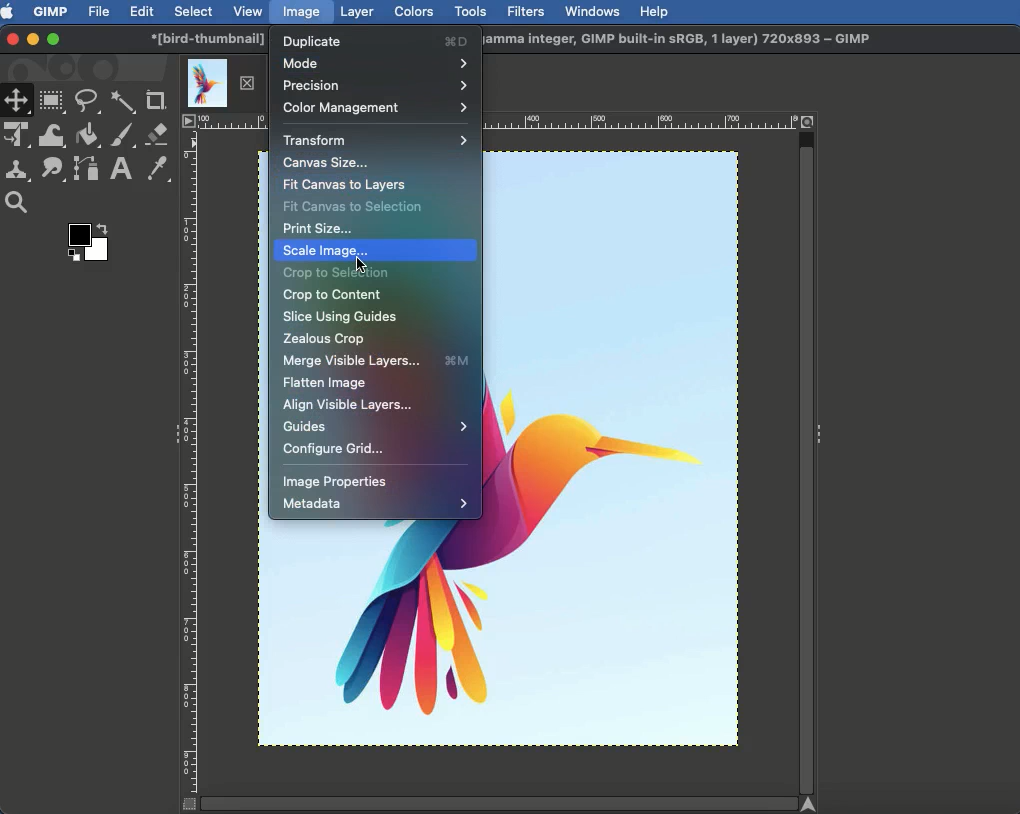 The image size is (1020, 814). I want to click on Tab, so click(219, 78).